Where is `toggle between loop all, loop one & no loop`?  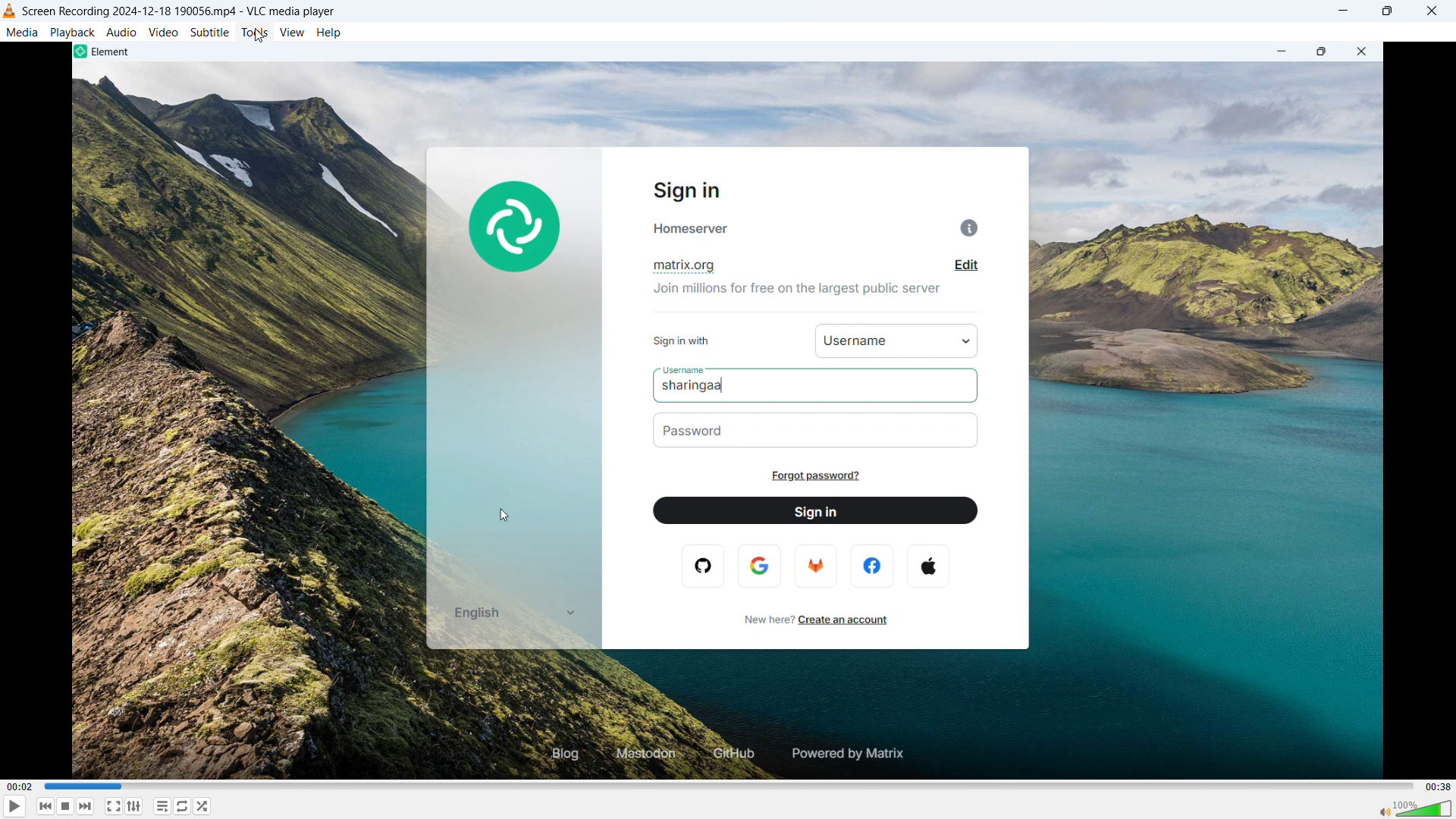 toggle between loop all, loop one & no loop is located at coordinates (183, 806).